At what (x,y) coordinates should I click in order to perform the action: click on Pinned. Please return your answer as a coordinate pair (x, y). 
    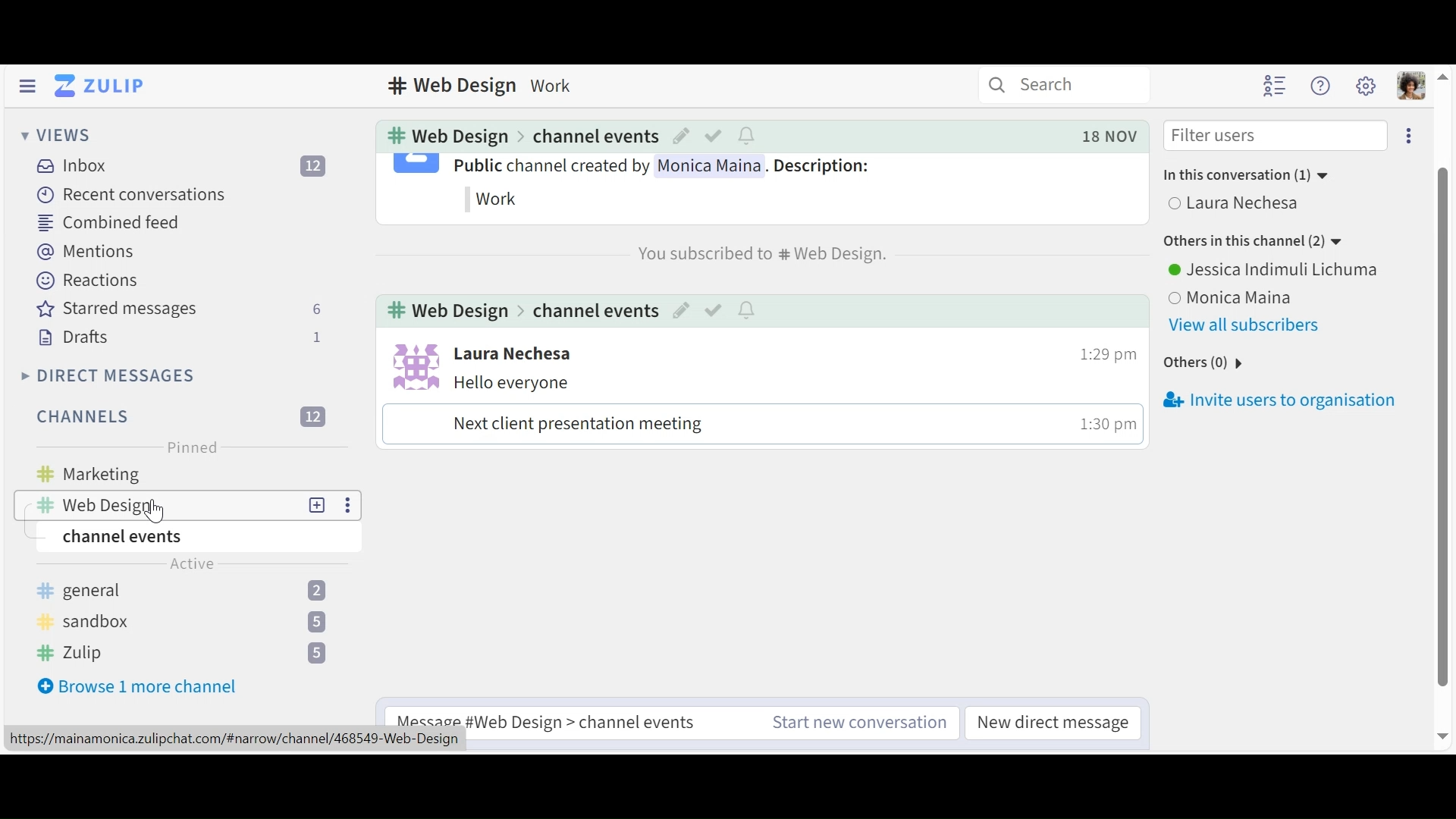
    Looking at the image, I should click on (192, 448).